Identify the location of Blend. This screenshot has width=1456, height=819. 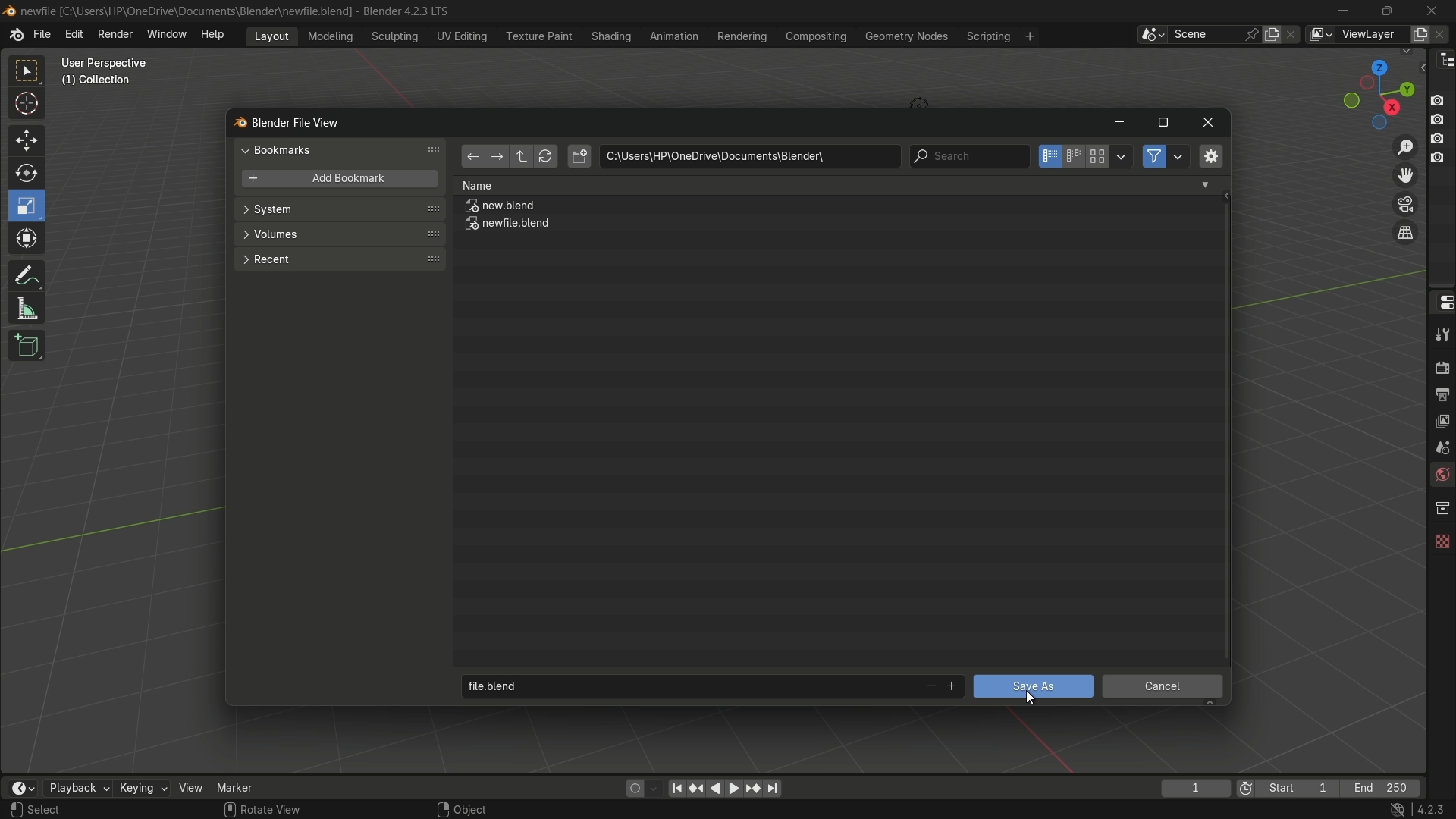
(9, 10).